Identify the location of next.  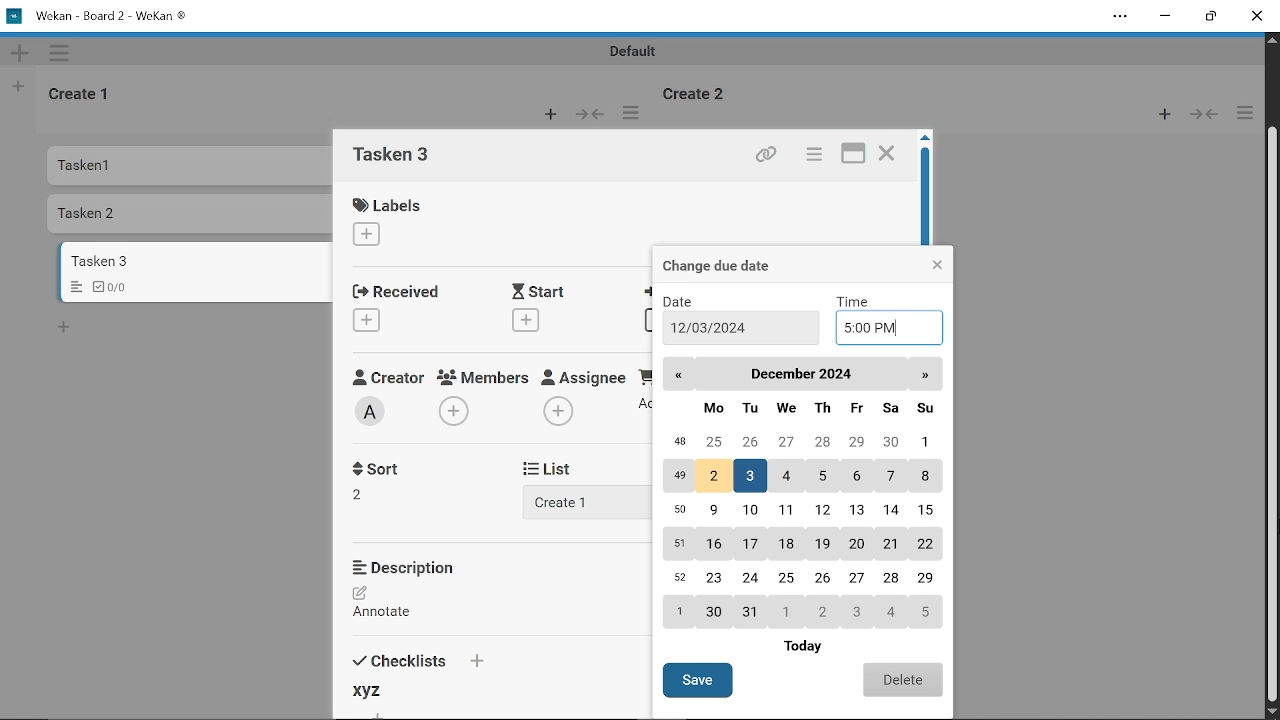
(927, 374).